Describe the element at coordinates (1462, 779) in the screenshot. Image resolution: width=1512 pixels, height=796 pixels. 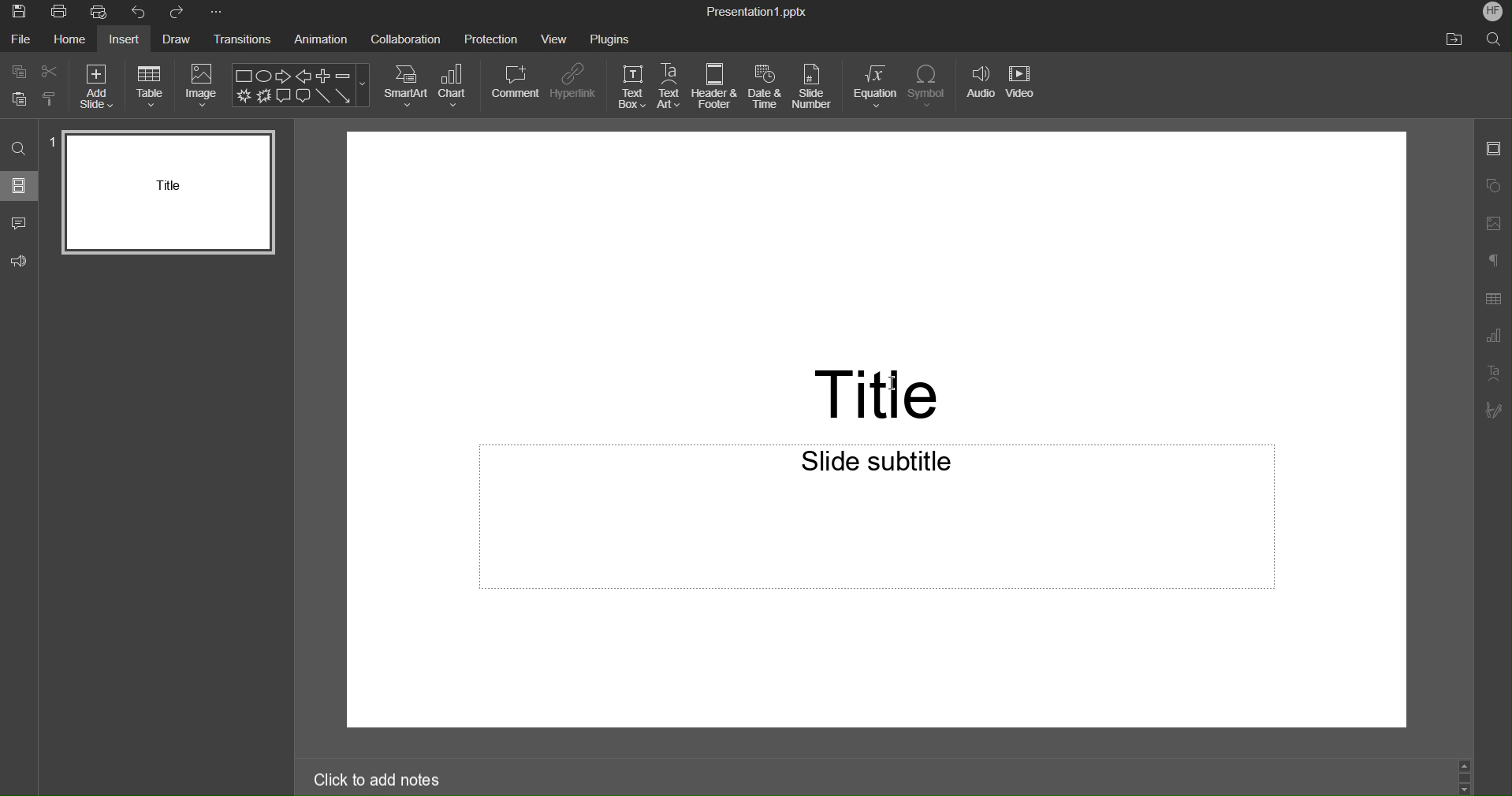
I see `Scroll Up and Down Buttons` at that location.